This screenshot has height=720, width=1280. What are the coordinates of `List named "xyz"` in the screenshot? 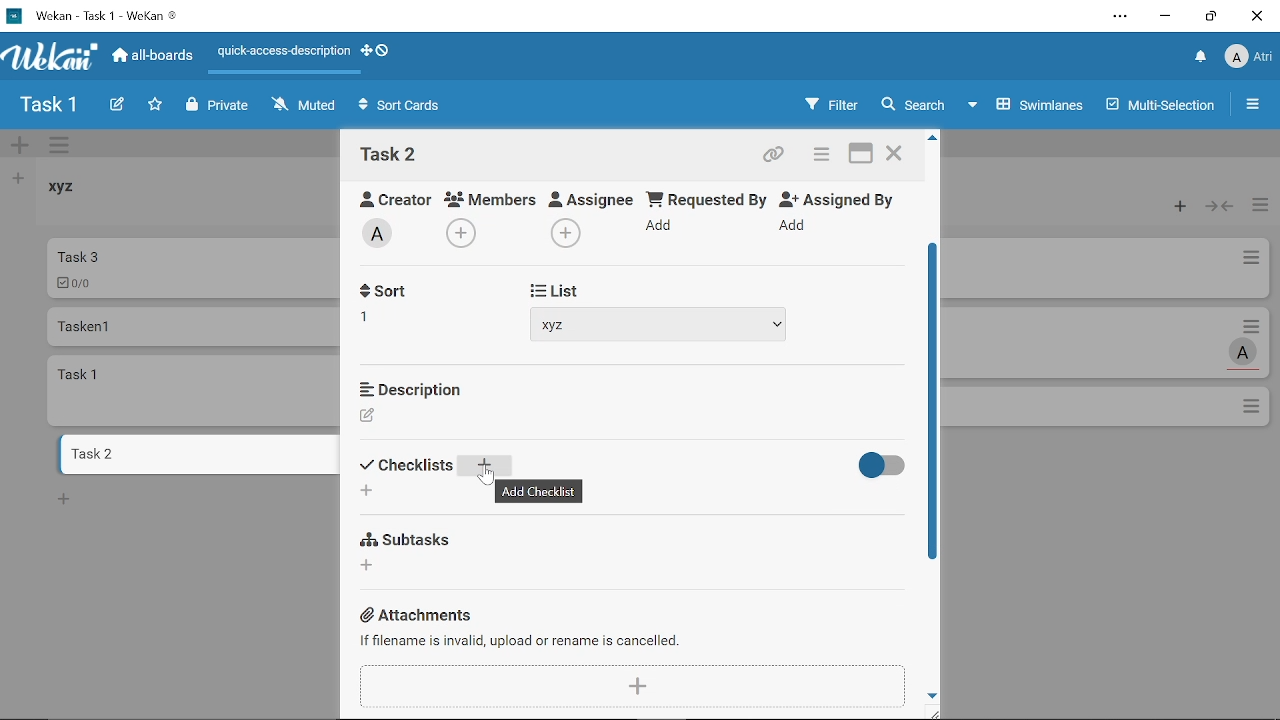 It's located at (75, 194).